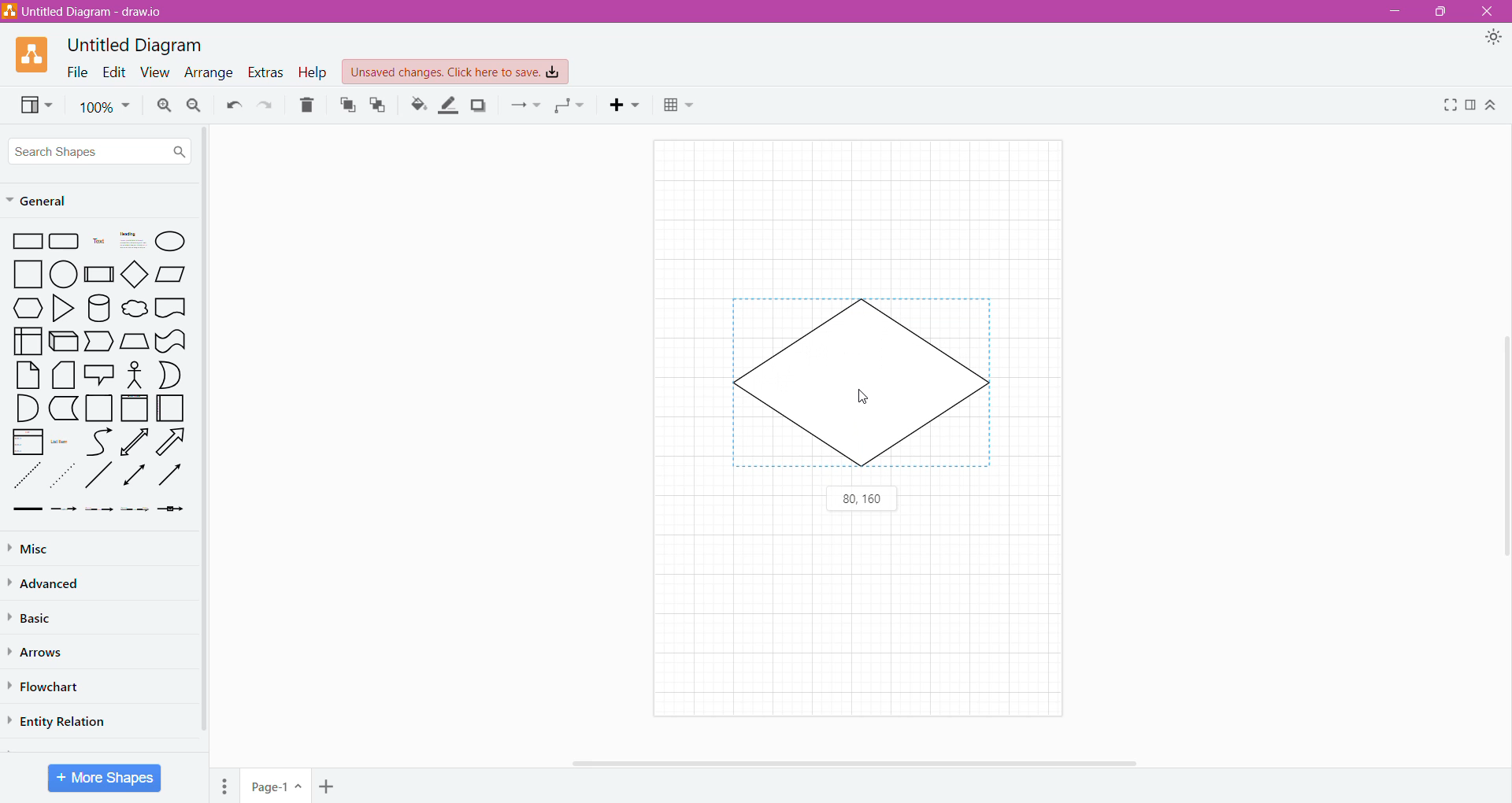 This screenshot has height=803, width=1512. I want to click on Circle, so click(65, 275).